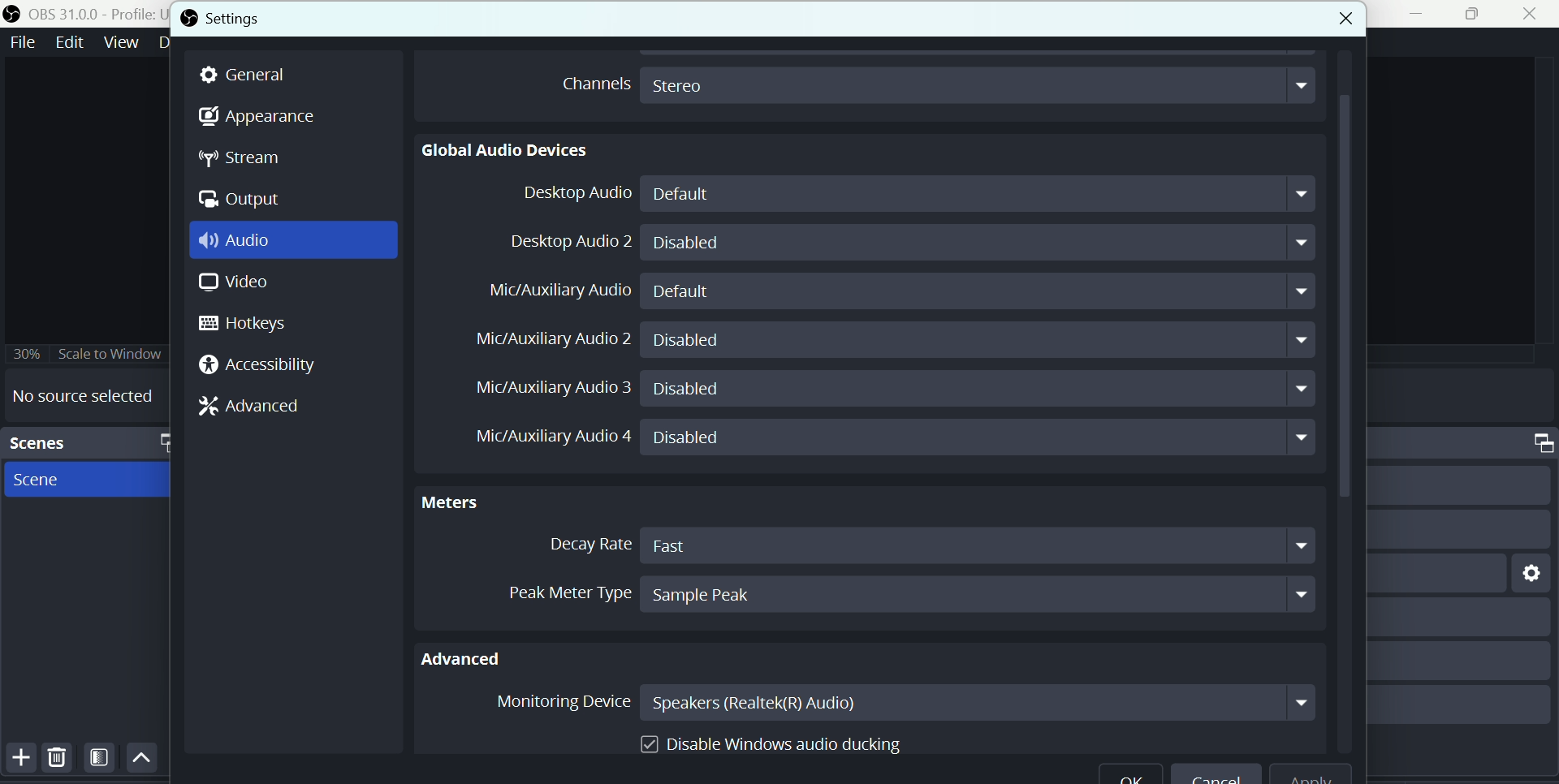 The image size is (1559, 784). I want to click on Default, so click(983, 291).